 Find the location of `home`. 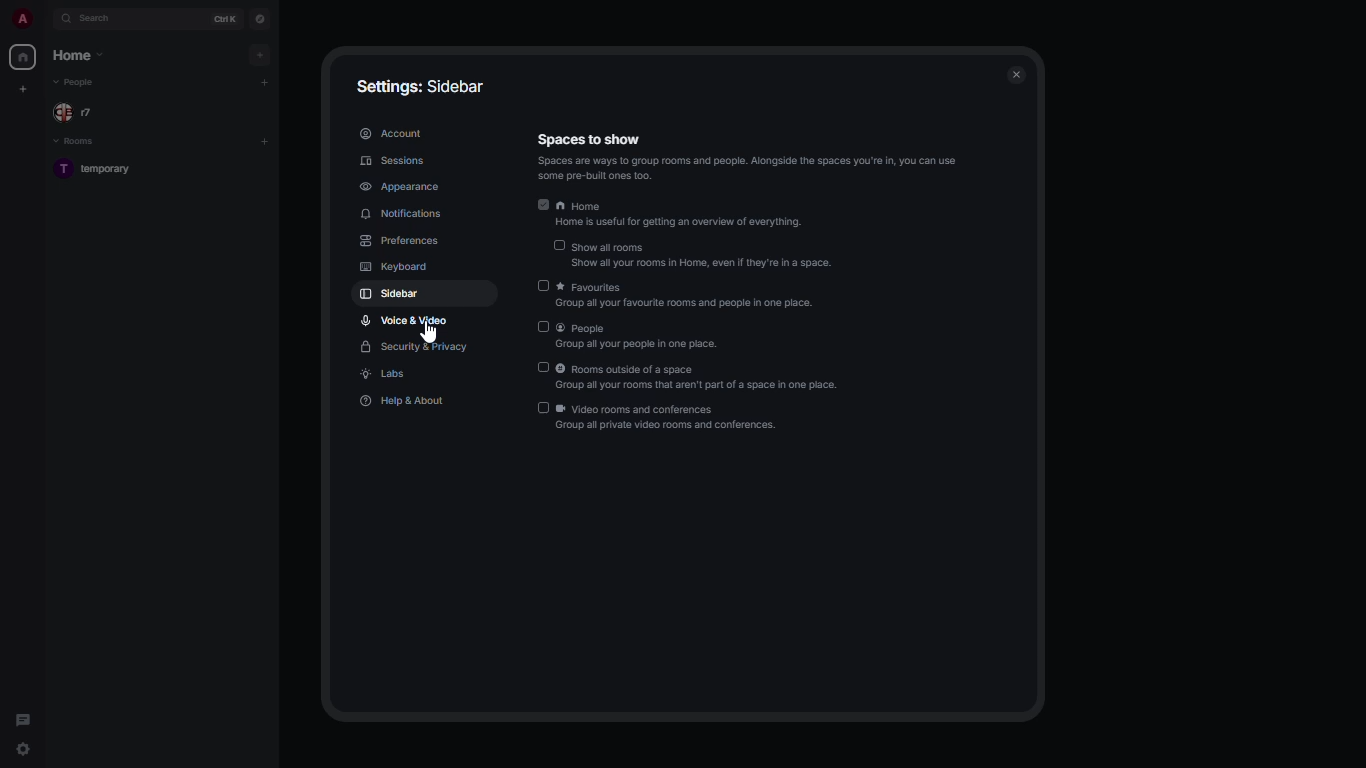

home is located at coordinates (76, 55).